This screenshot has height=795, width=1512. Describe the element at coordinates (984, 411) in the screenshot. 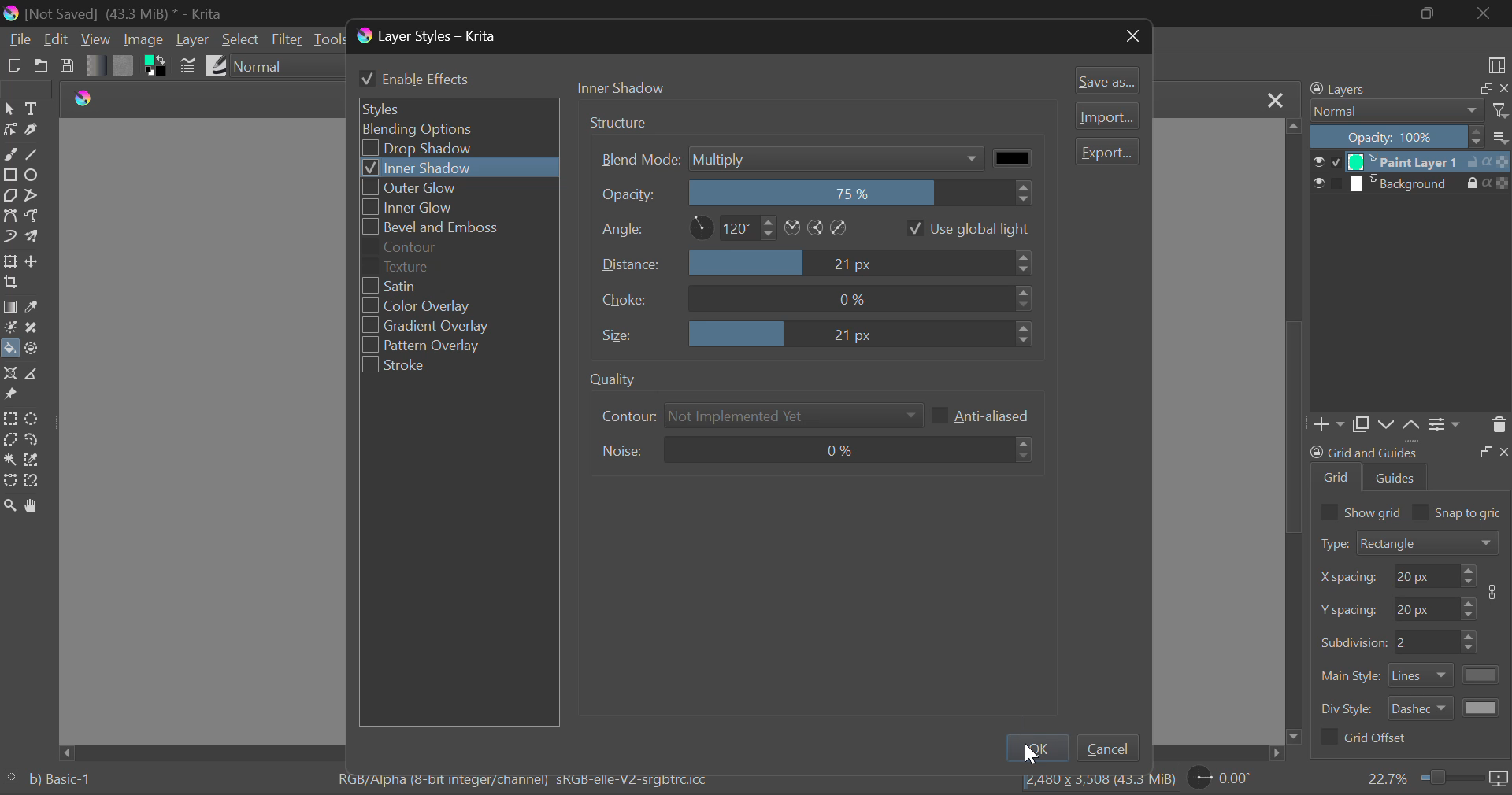

I see `Anti-aliased` at that location.